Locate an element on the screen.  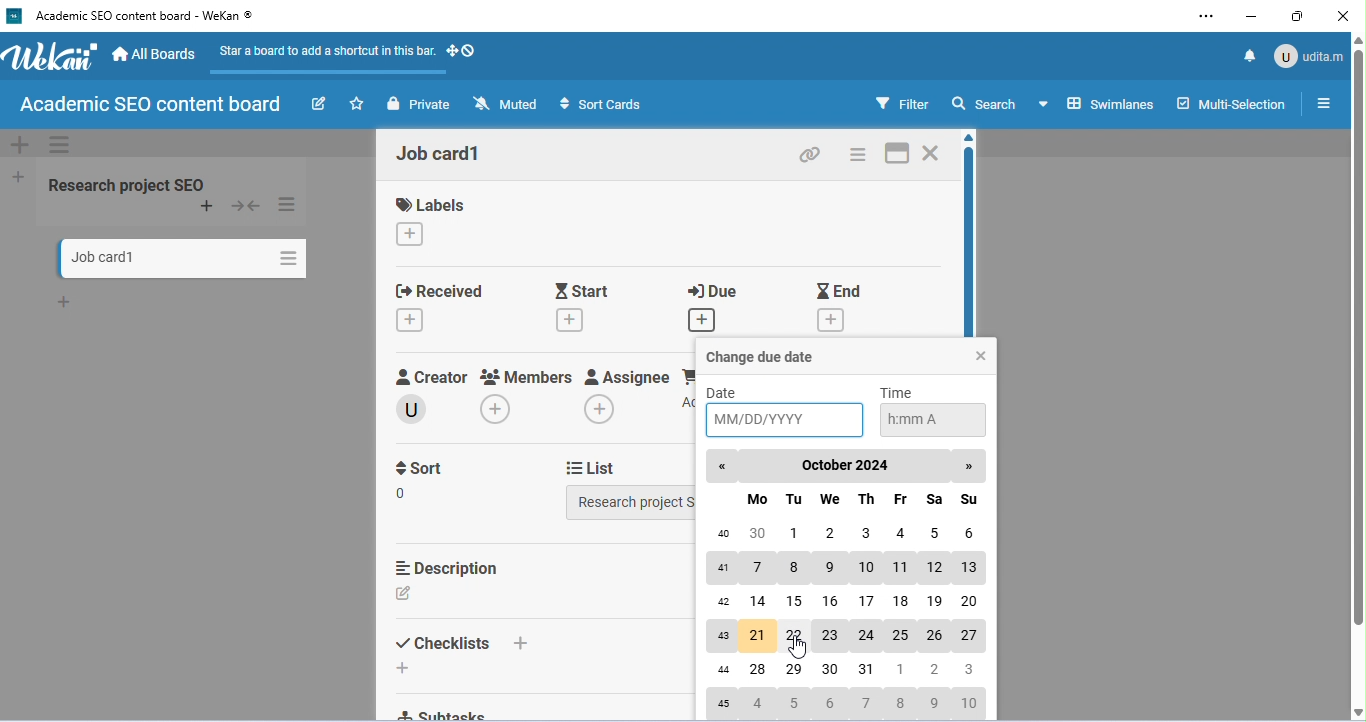
list actions is located at coordinates (289, 205).